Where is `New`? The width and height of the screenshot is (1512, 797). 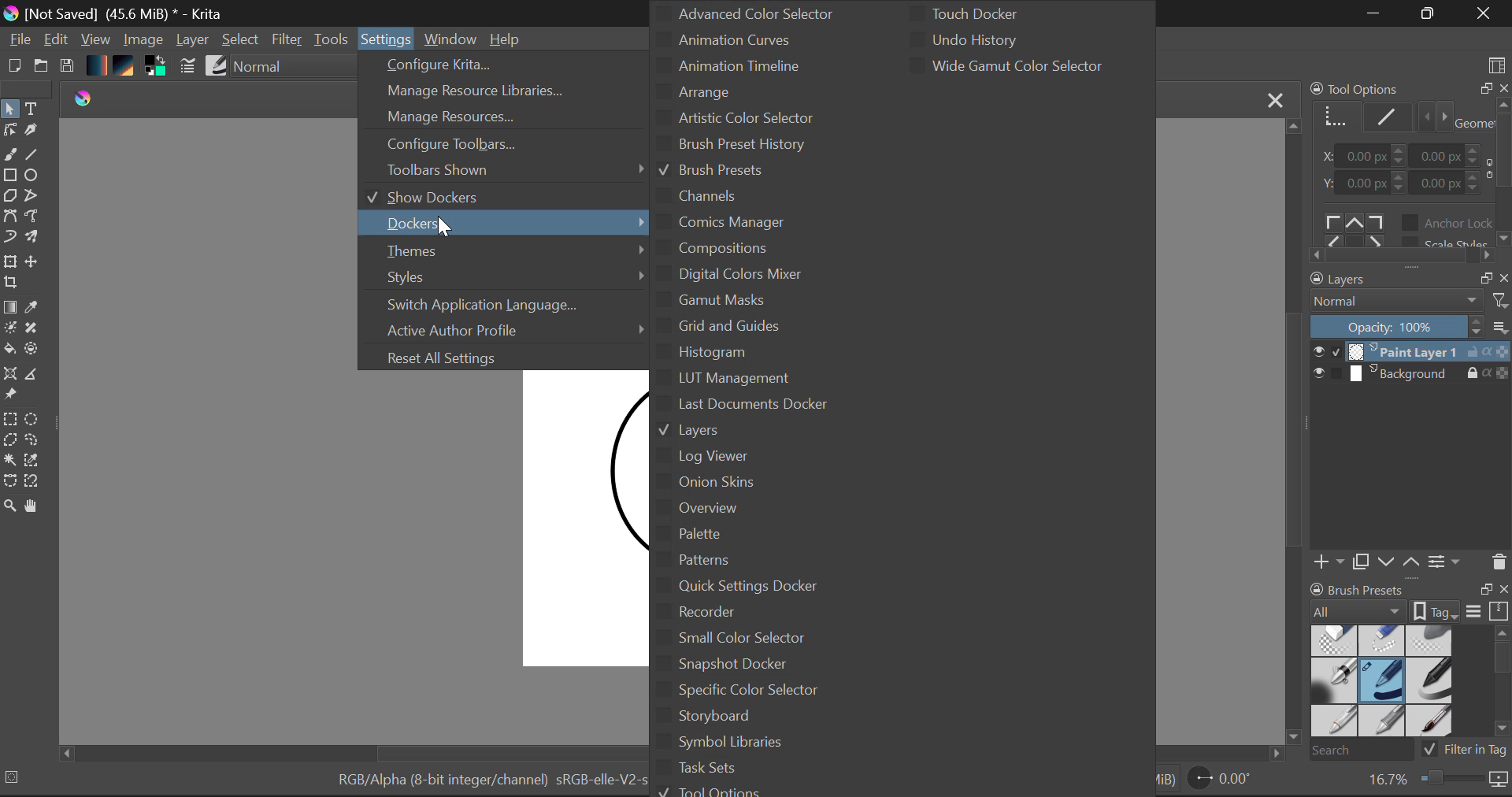 New is located at coordinates (11, 67).